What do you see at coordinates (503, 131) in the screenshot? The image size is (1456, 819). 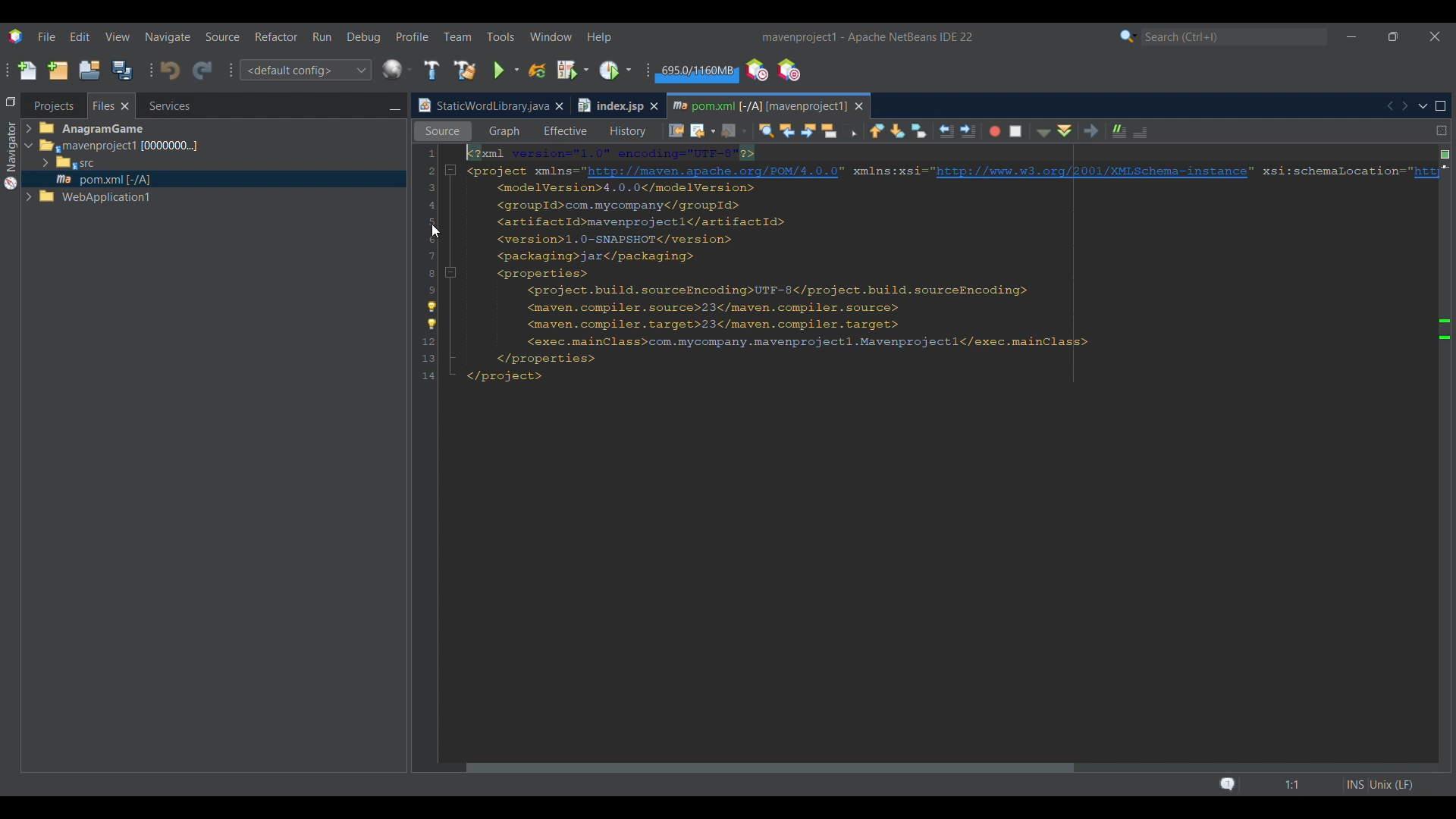 I see `Graph view` at bounding box center [503, 131].